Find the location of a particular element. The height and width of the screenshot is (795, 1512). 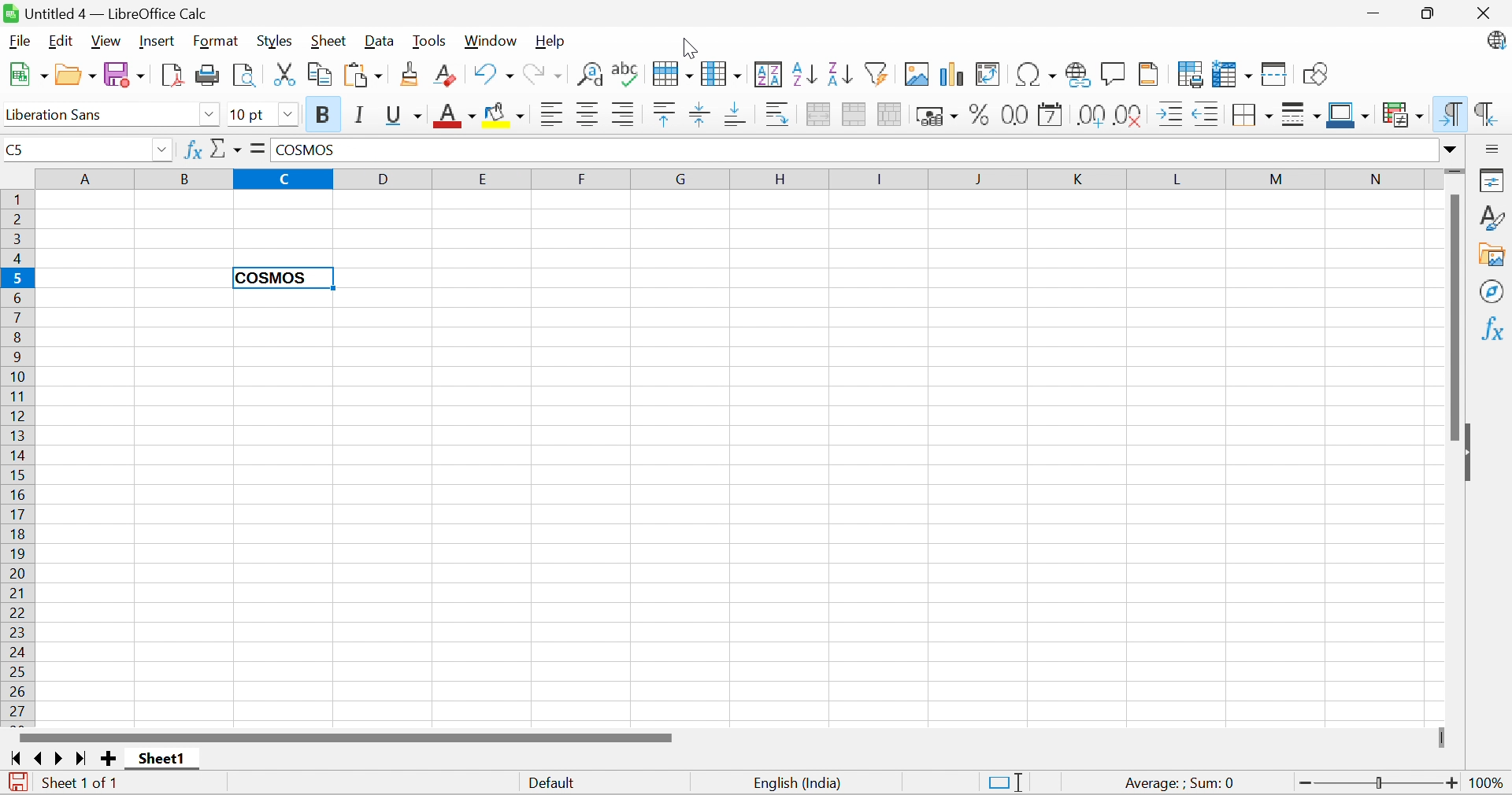

Spelling is located at coordinates (623, 71).